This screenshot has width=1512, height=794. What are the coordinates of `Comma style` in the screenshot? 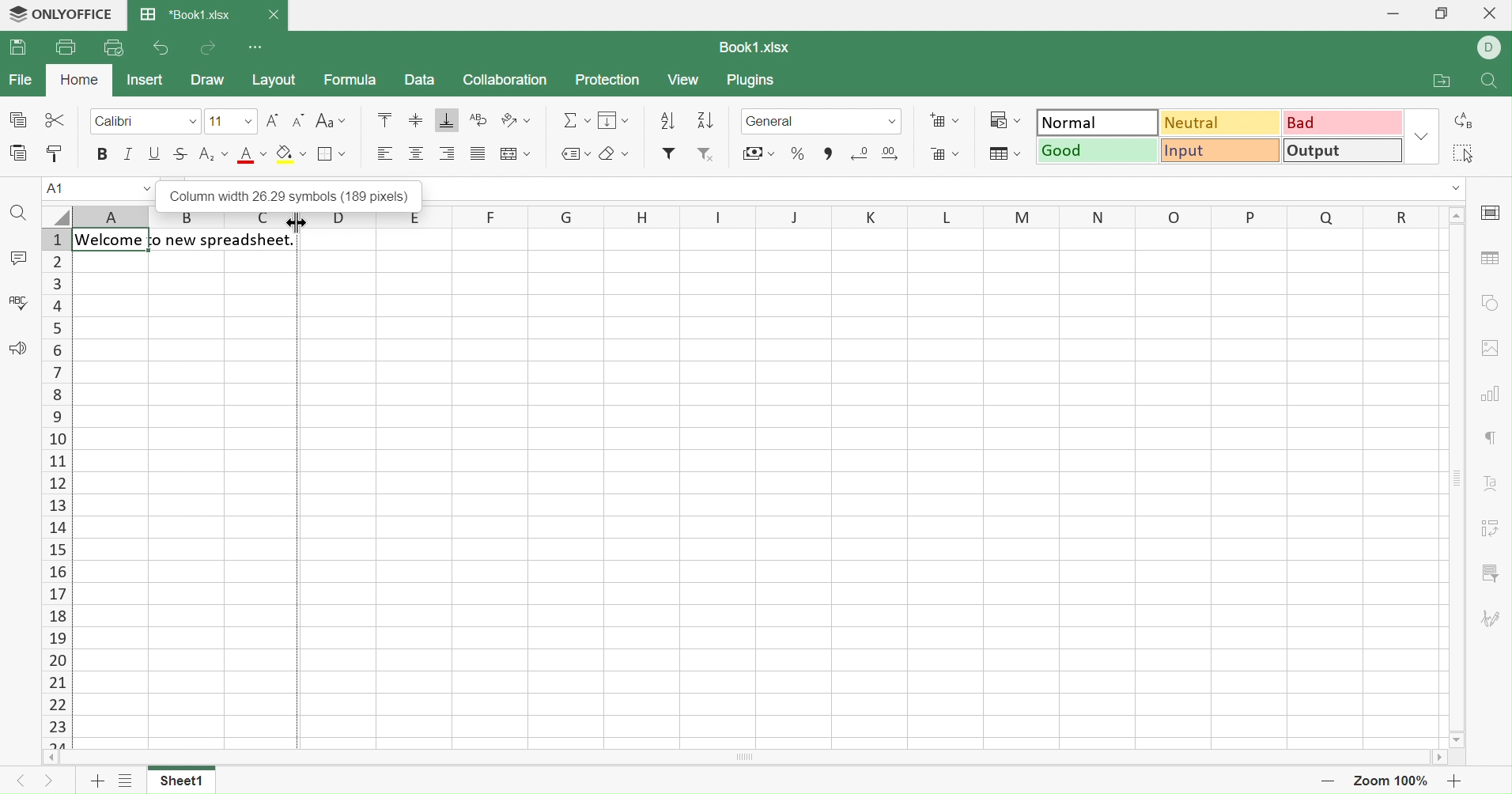 It's located at (827, 153).